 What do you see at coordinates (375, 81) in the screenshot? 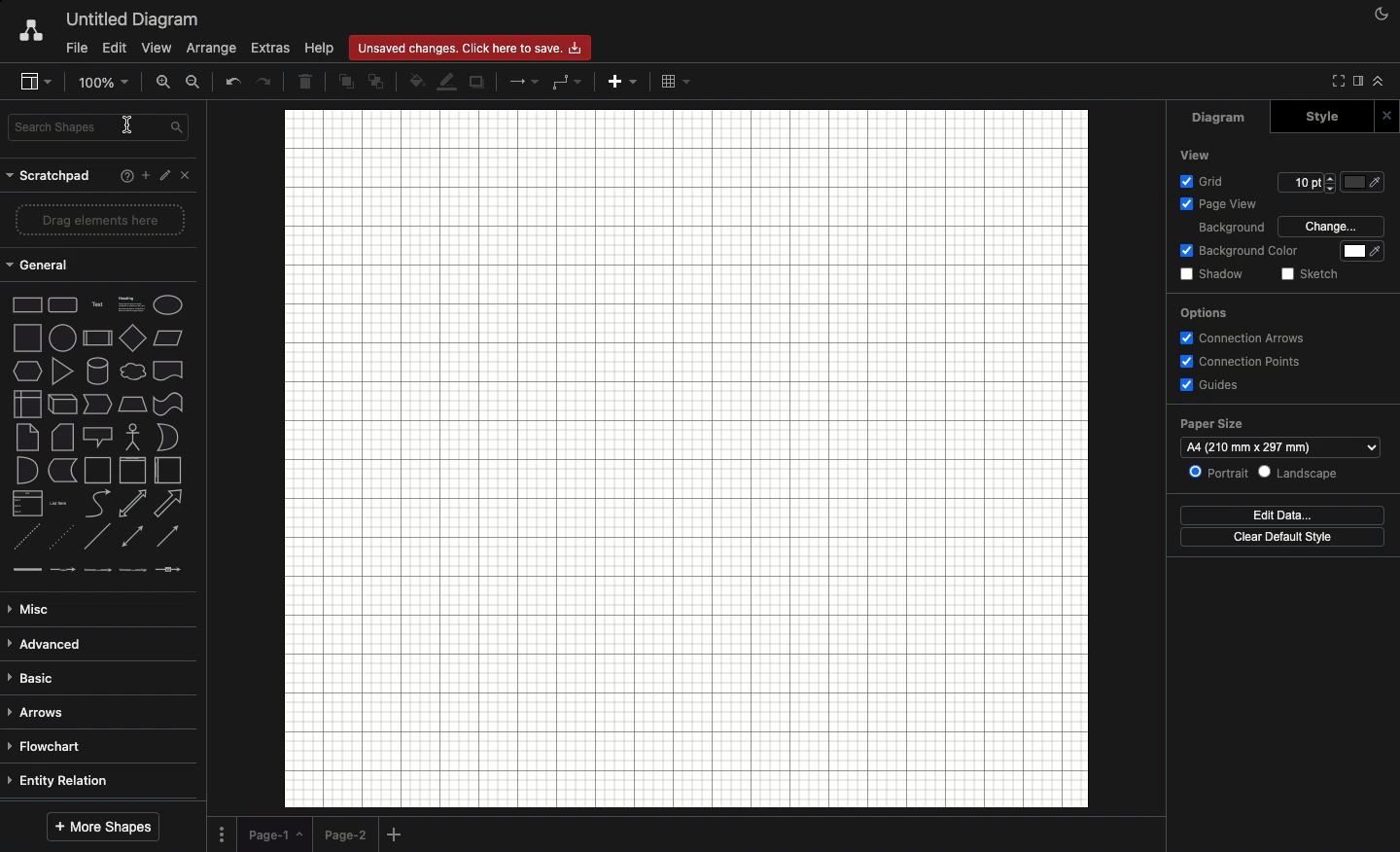
I see `To back` at bounding box center [375, 81].